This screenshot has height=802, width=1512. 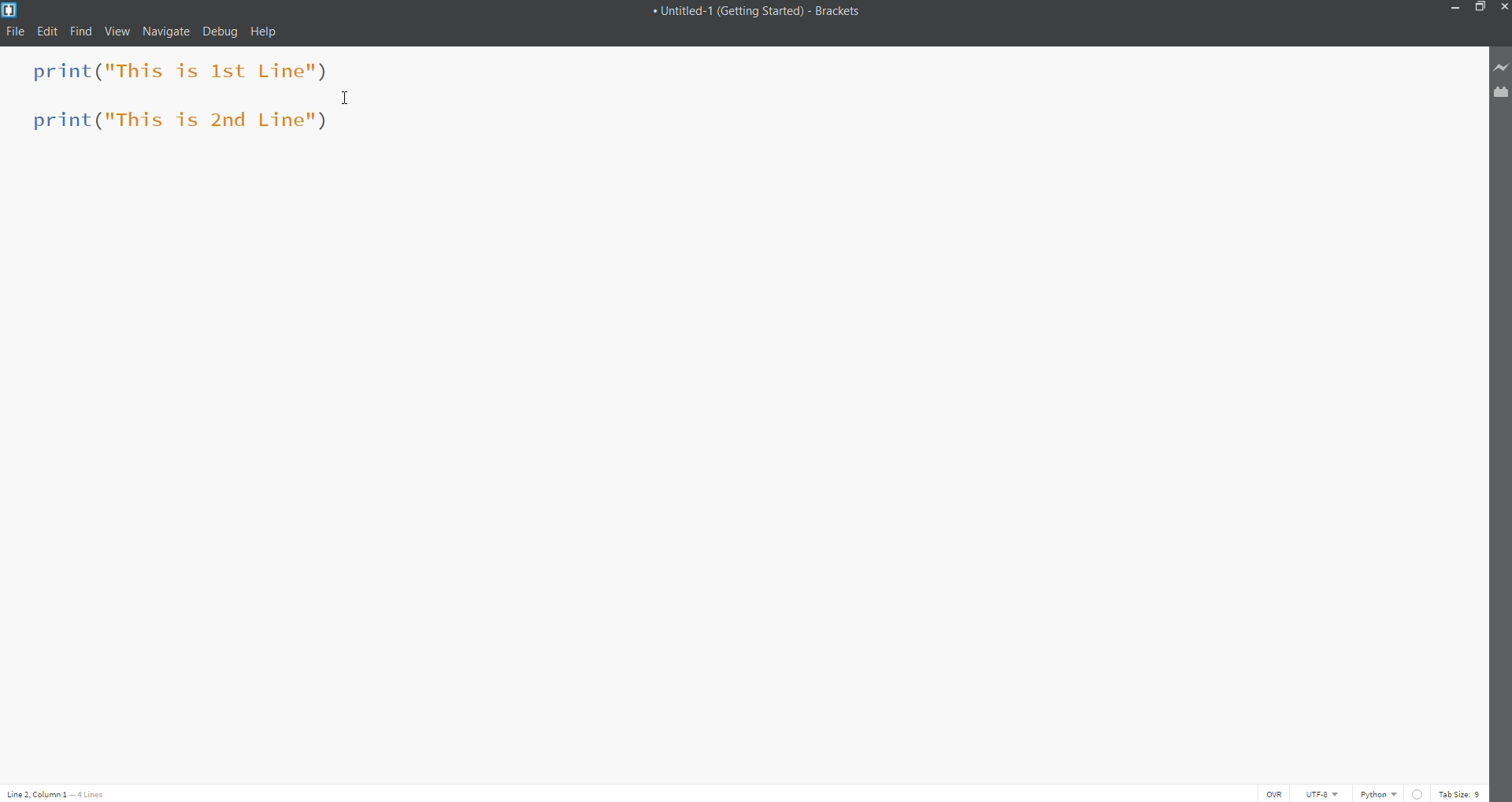 I want to click on Select the Encoding, so click(x=1322, y=792).